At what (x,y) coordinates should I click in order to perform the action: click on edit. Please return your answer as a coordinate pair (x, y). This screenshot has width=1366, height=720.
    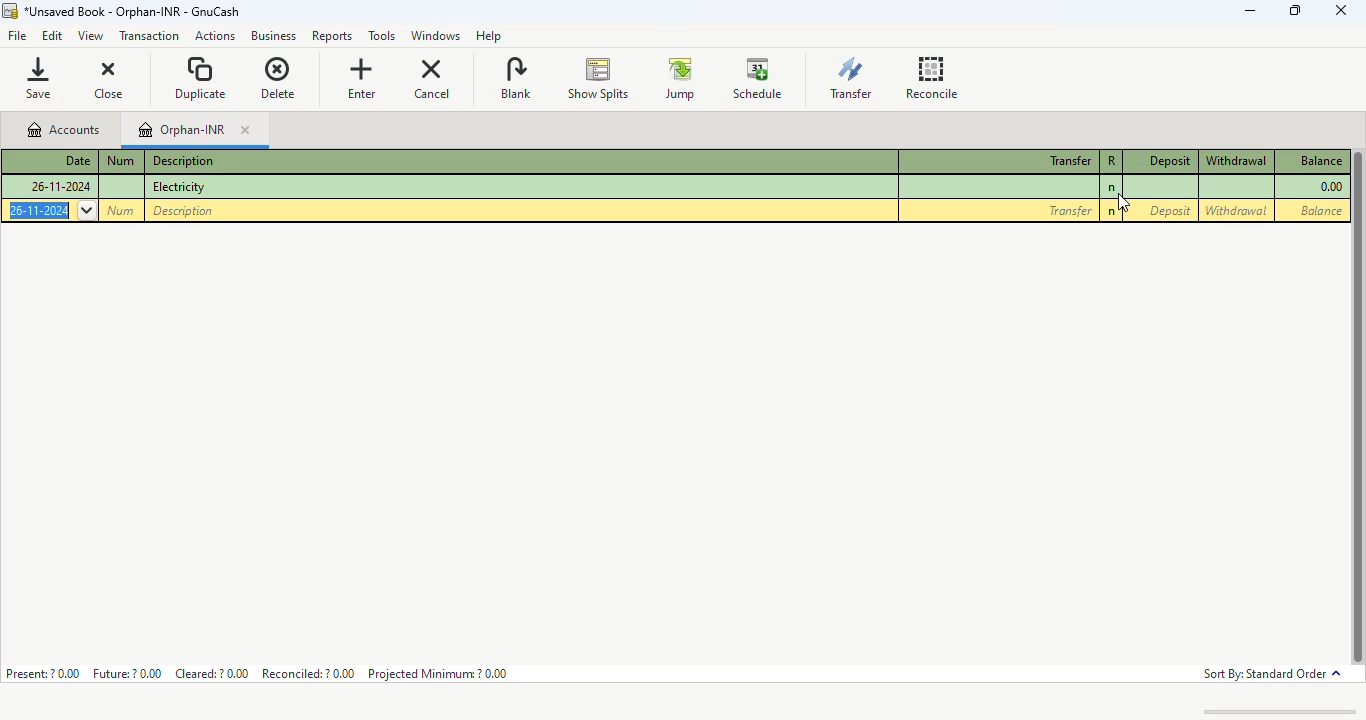
    Looking at the image, I should click on (52, 37).